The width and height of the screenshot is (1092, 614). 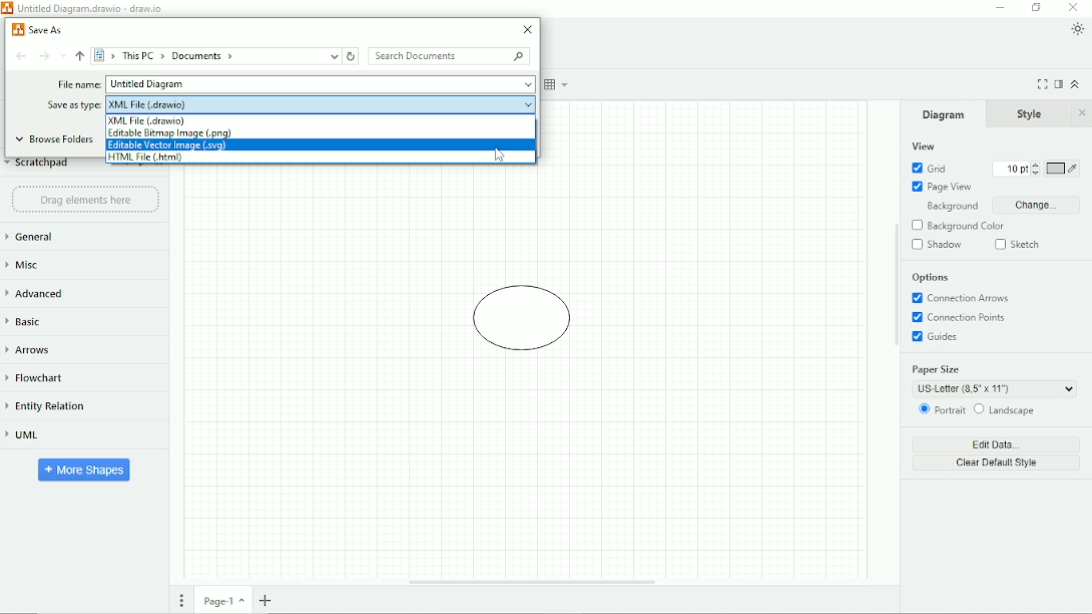 What do you see at coordinates (936, 337) in the screenshot?
I see `Guides` at bounding box center [936, 337].